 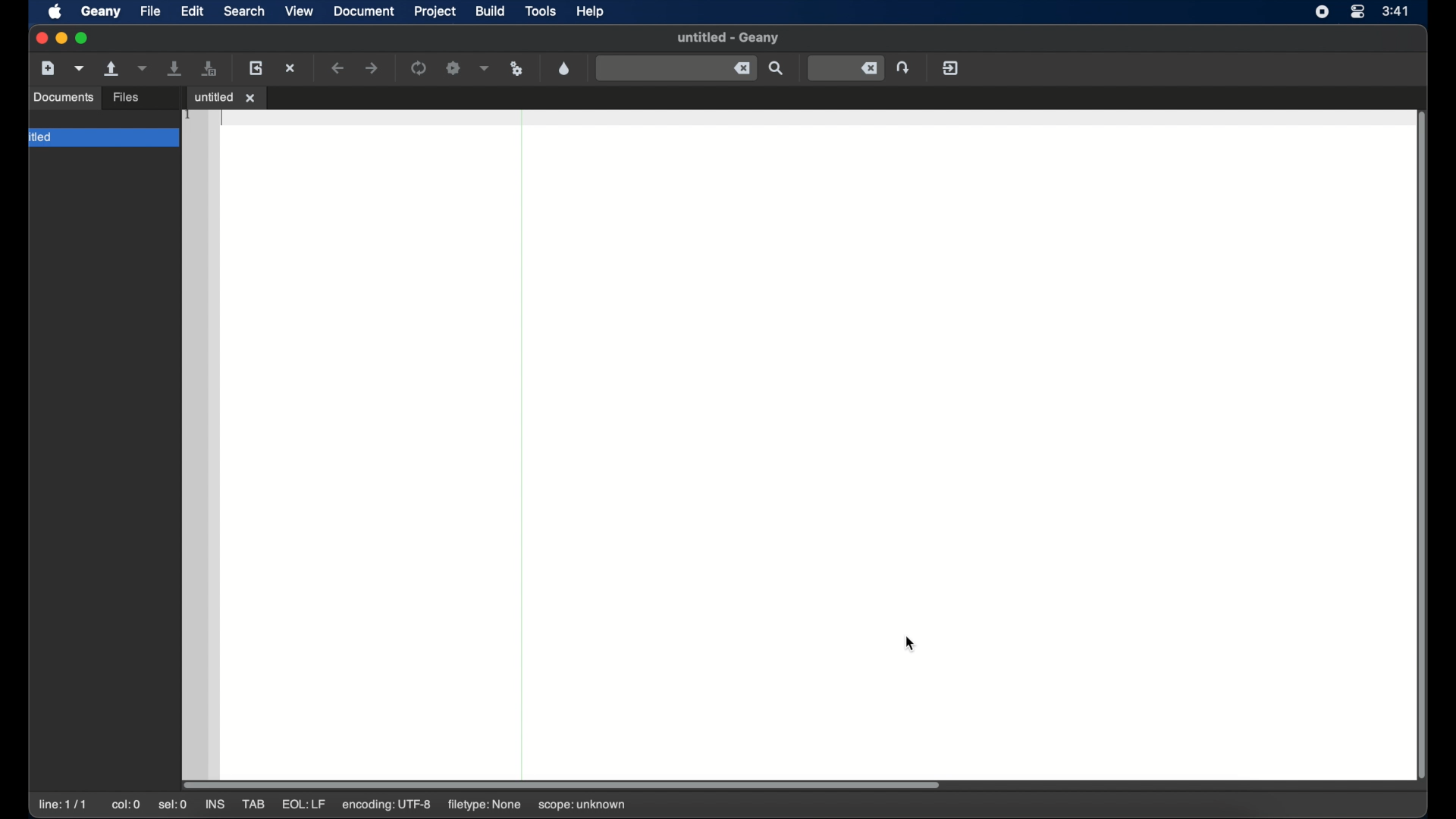 I want to click on search, so click(x=244, y=11).